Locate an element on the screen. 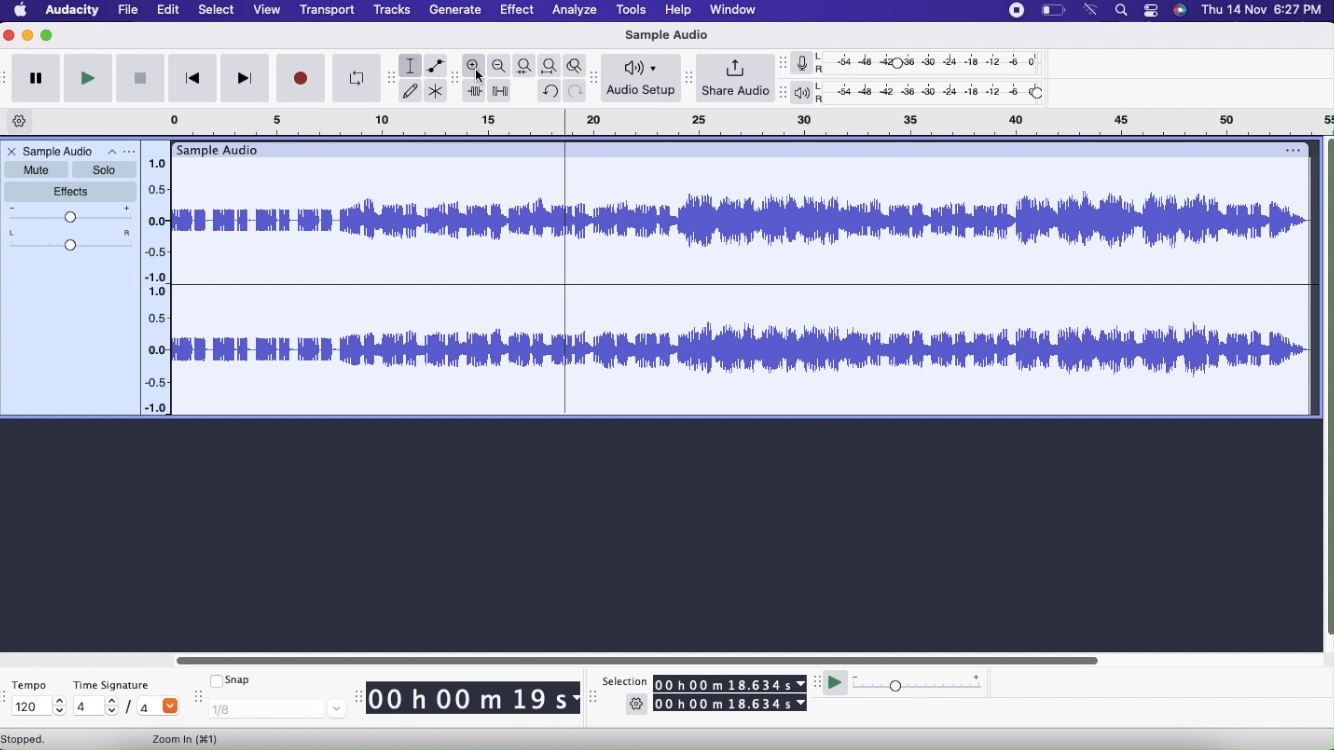 This screenshot has width=1334, height=750. 00 h 00 m 19 s is located at coordinates (474, 699).